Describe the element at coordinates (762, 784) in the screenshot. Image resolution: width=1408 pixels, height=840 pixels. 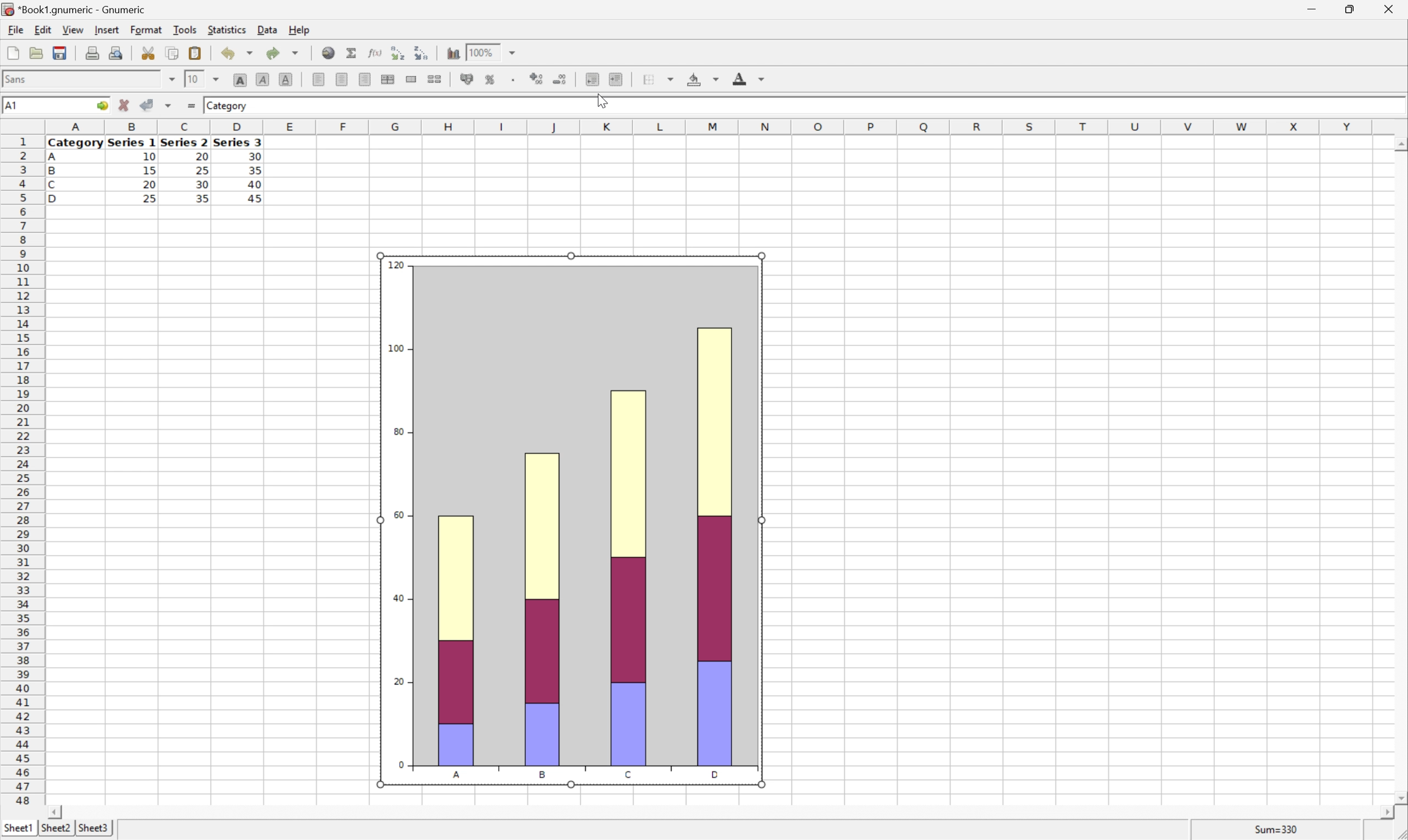
I see `cursor` at that location.